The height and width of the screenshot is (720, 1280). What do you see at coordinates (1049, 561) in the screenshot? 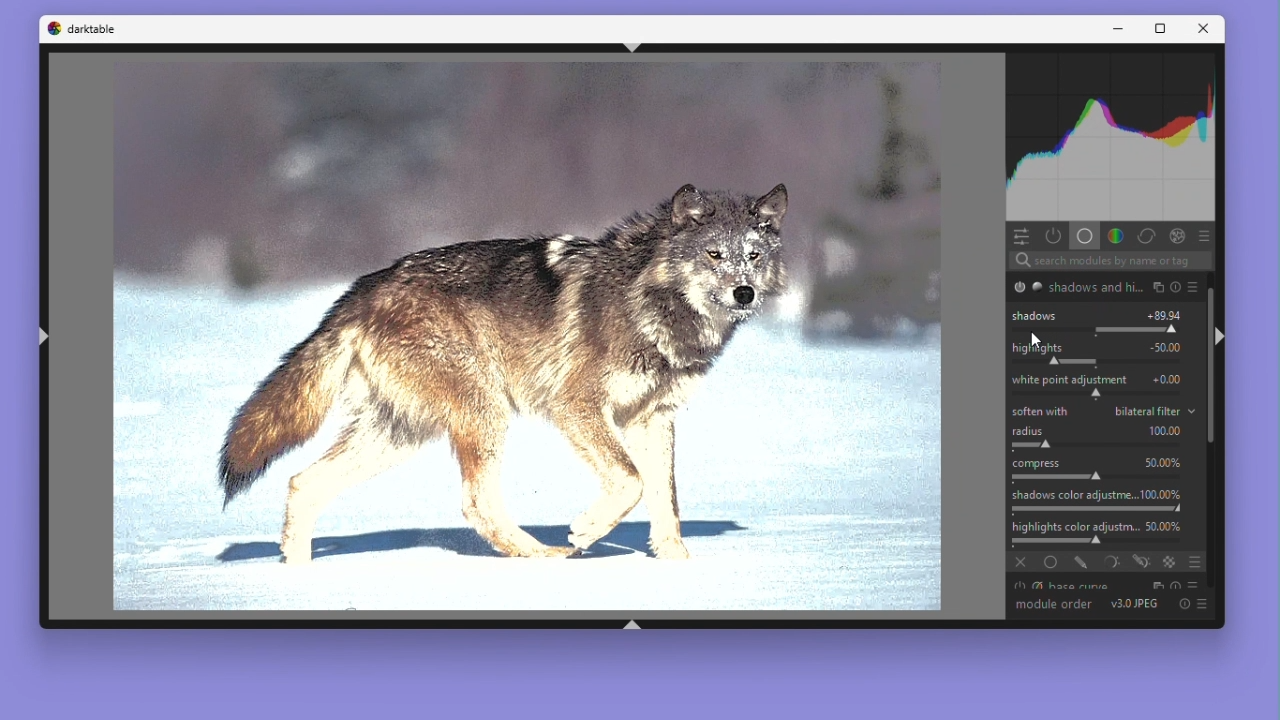
I see `uniformly` at bounding box center [1049, 561].